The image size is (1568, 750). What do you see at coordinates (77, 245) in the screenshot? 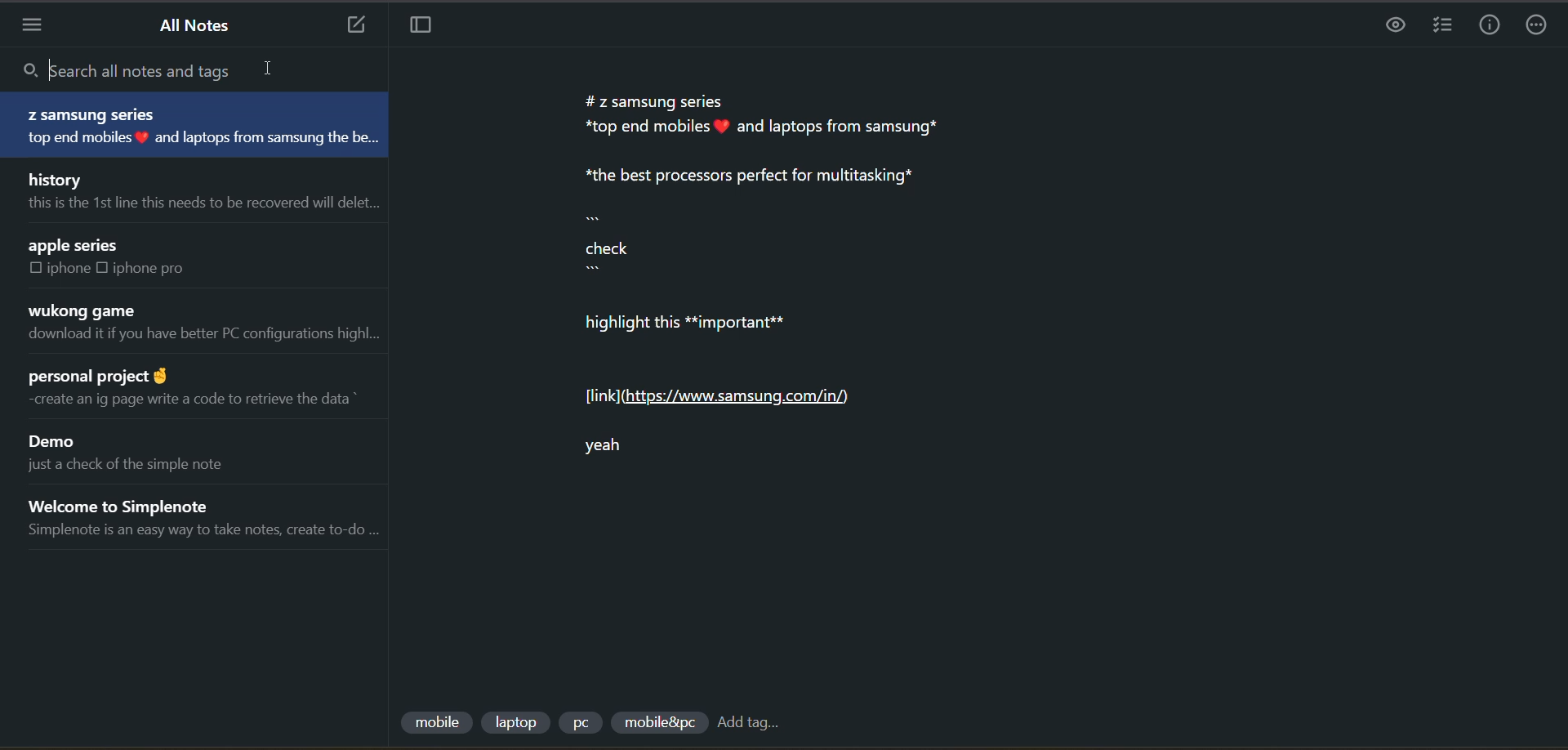
I see `apple series` at bounding box center [77, 245].